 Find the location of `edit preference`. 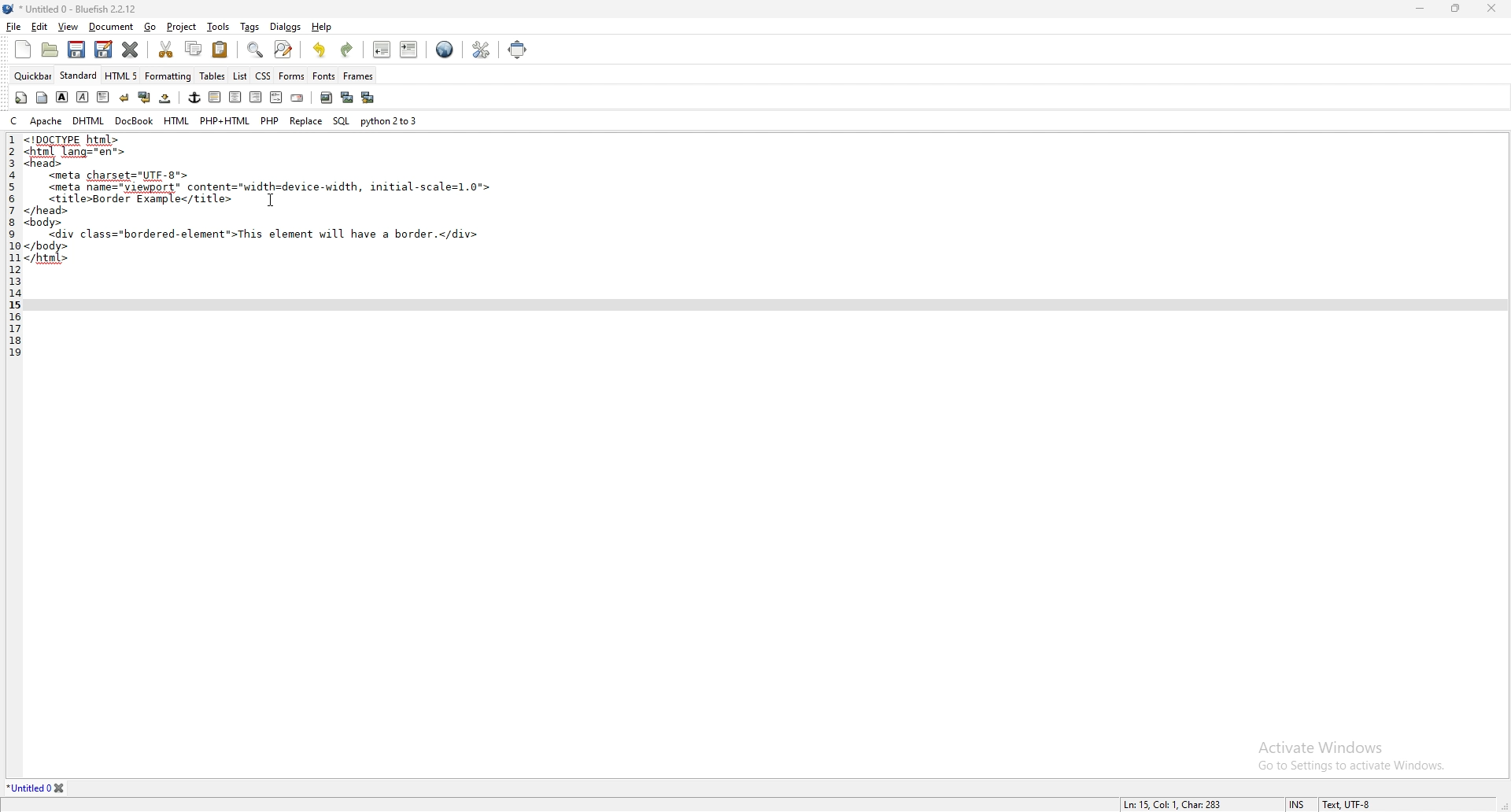

edit preference is located at coordinates (478, 50).